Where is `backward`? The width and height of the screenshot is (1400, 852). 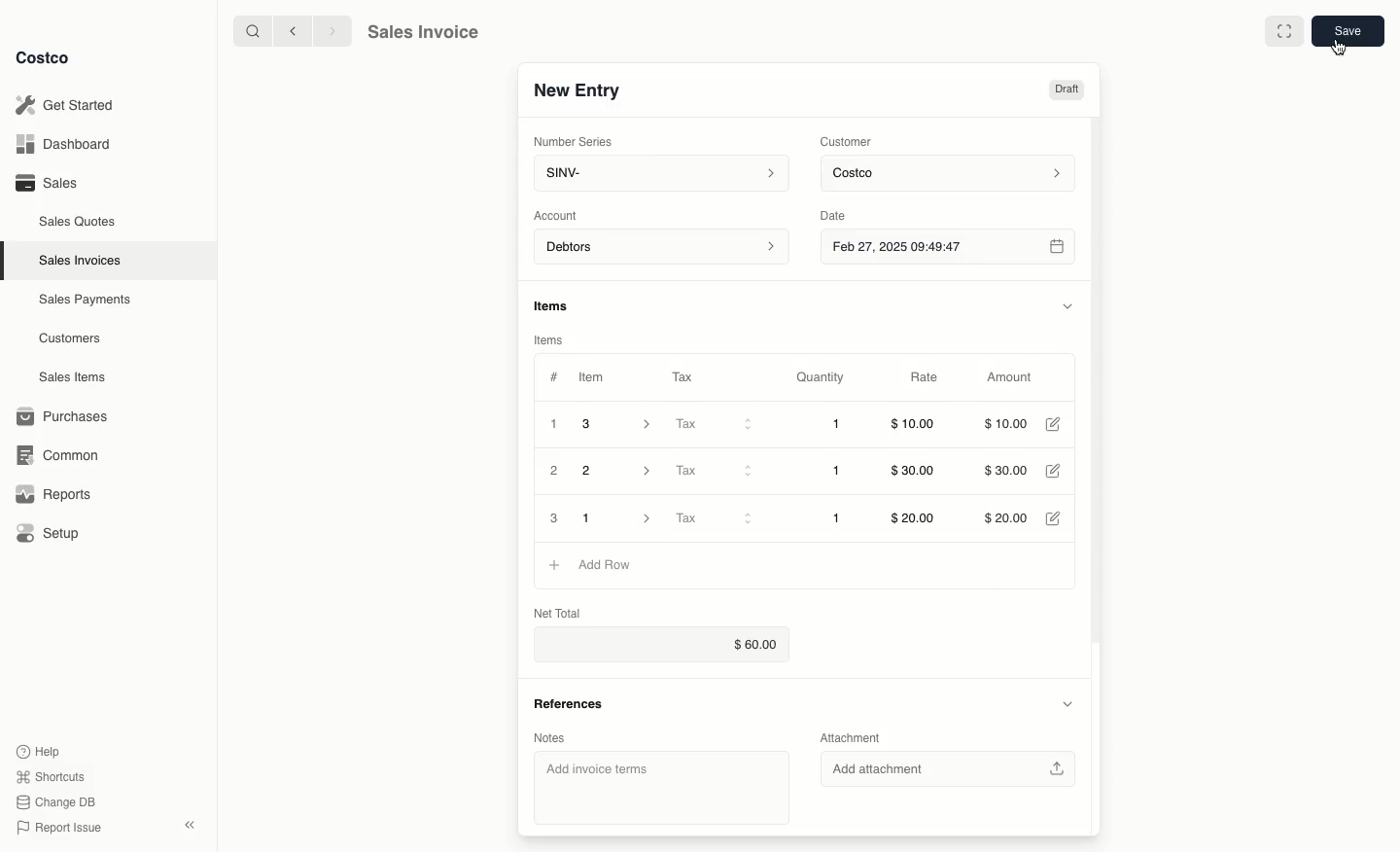
backward is located at coordinates (289, 30).